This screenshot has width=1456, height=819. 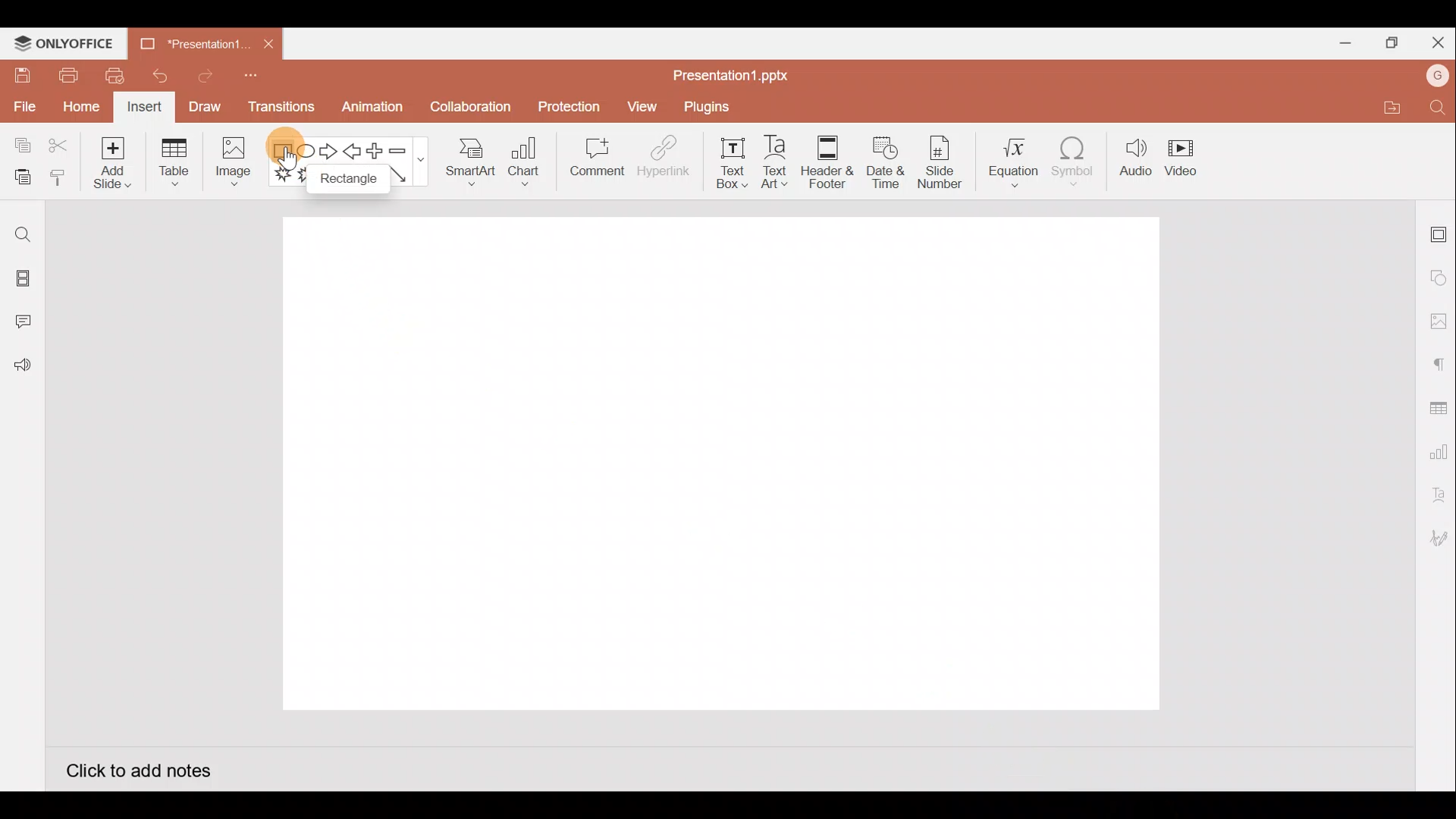 What do you see at coordinates (1435, 39) in the screenshot?
I see `Close` at bounding box center [1435, 39].